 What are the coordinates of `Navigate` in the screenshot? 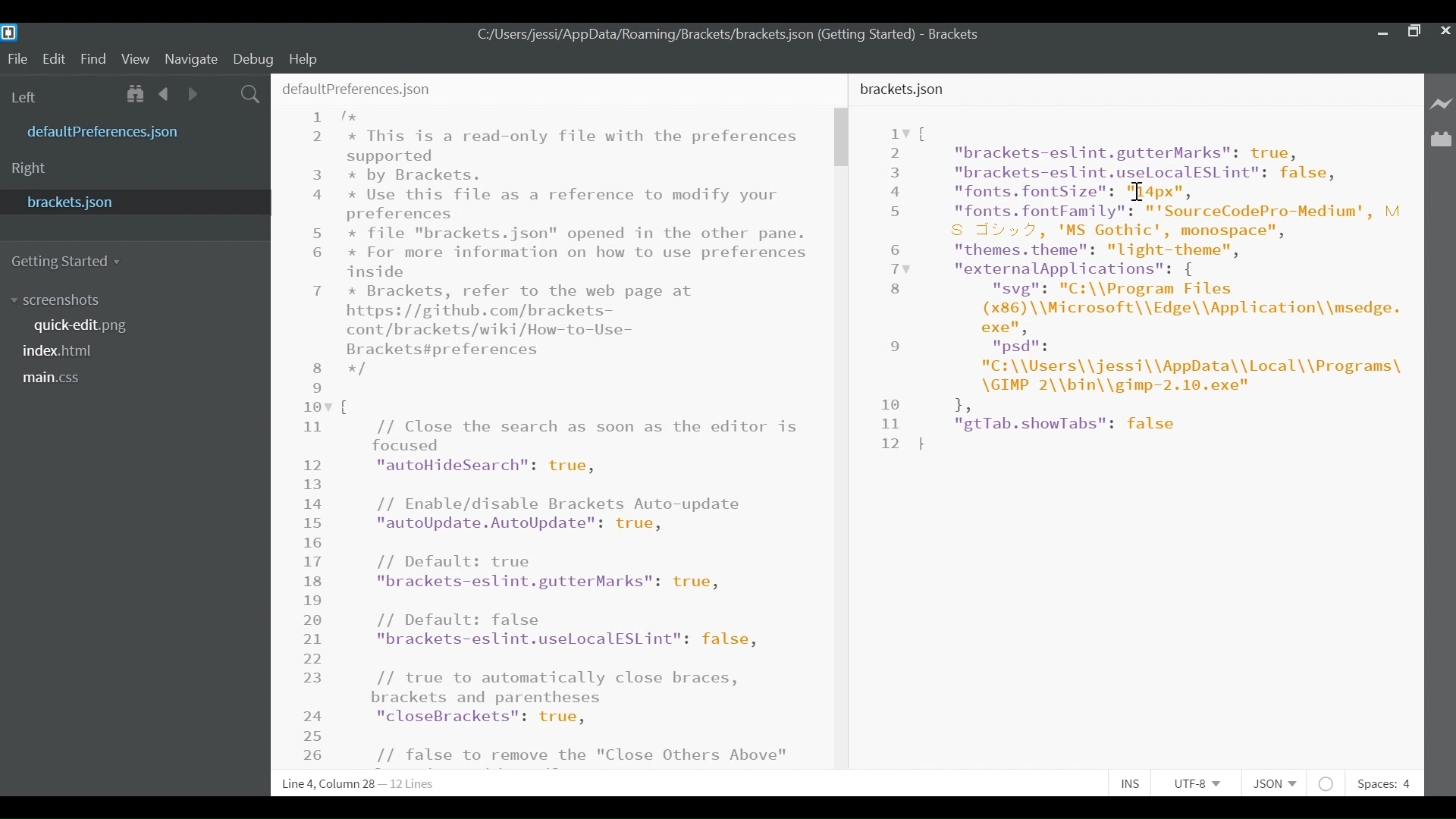 It's located at (190, 59).